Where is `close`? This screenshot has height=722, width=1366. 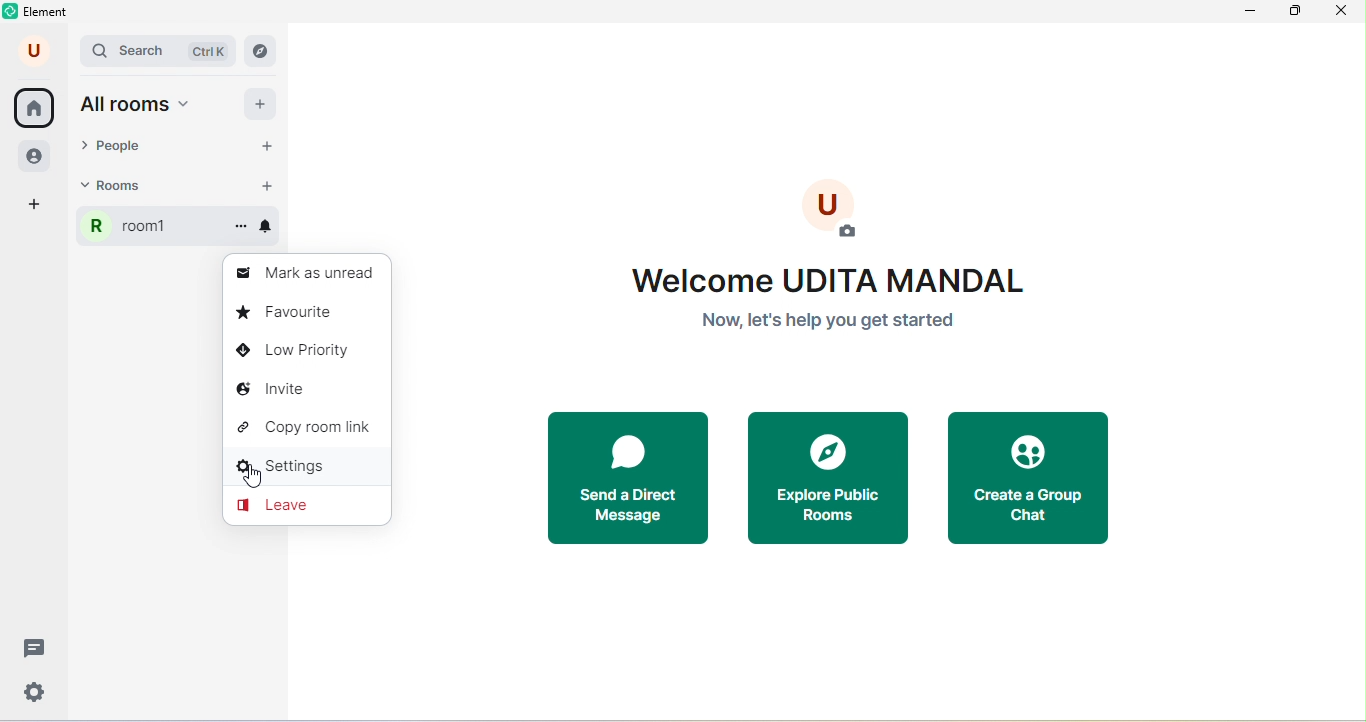 close is located at coordinates (1346, 14).